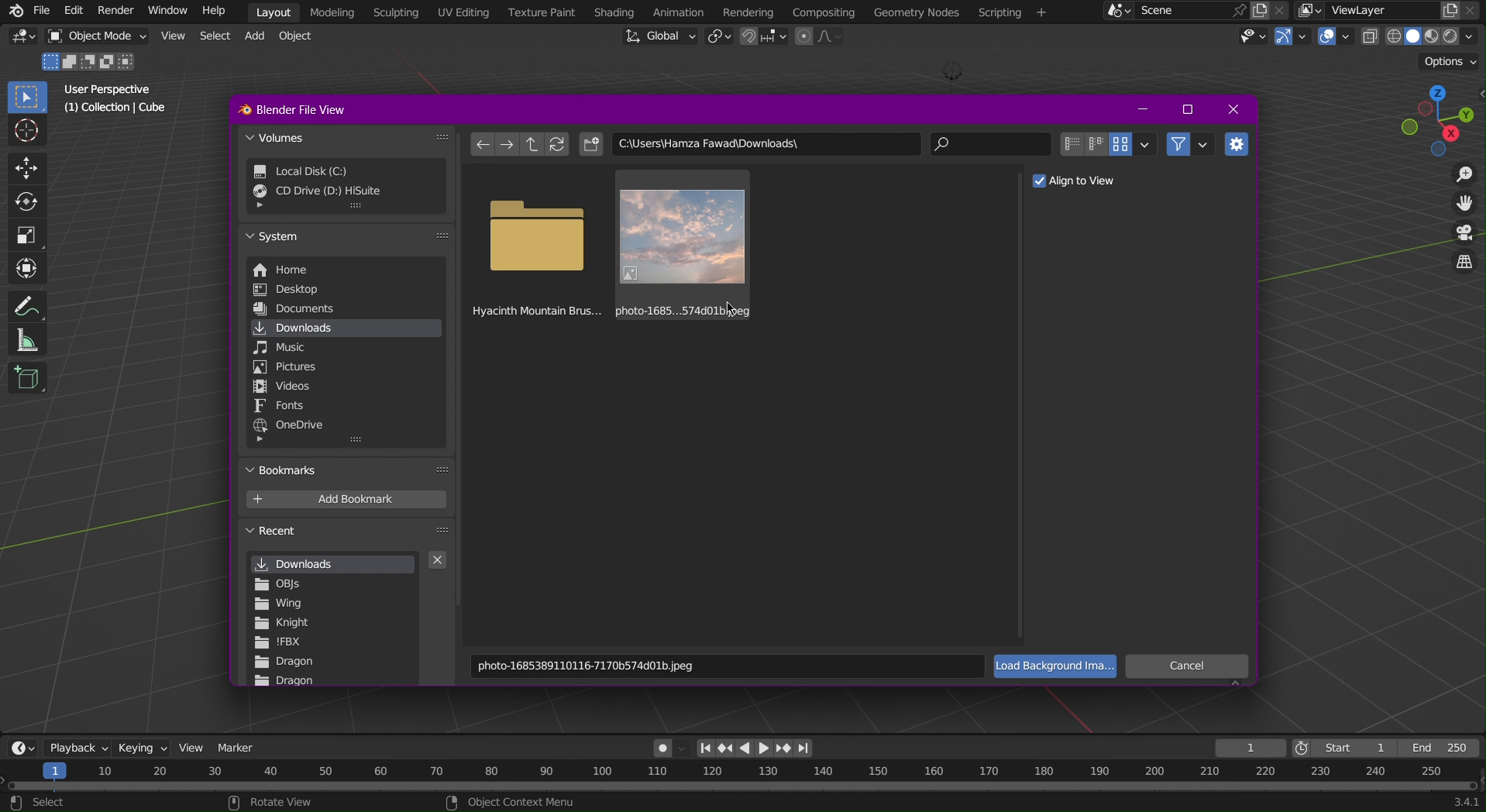 The image size is (1486, 812). What do you see at coordinates (1462, 174) in the screenshot?
I see `Zoom` at bounding box center [1462, 174].